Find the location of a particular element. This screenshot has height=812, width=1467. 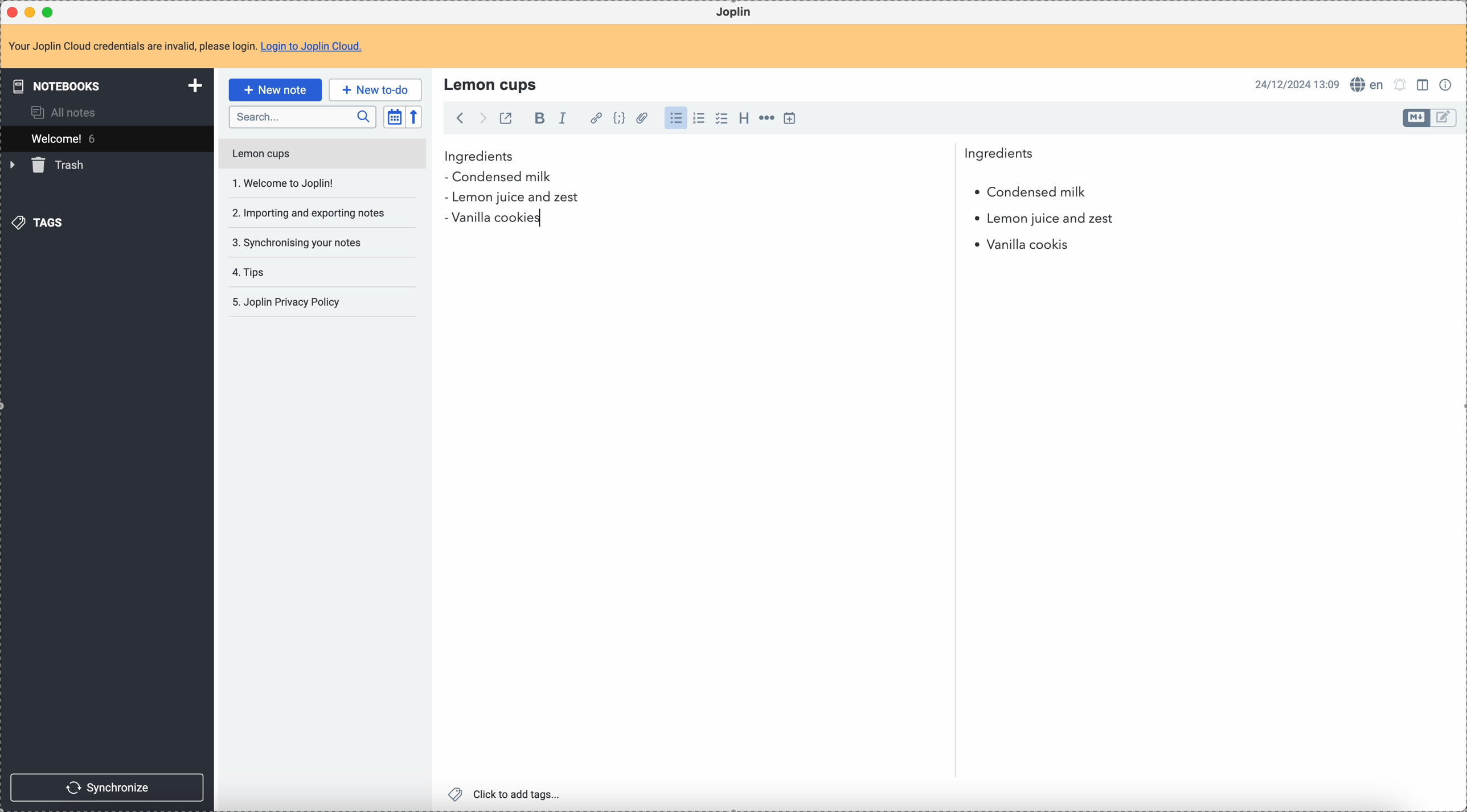

insert time is located at coordinates (789, 118).